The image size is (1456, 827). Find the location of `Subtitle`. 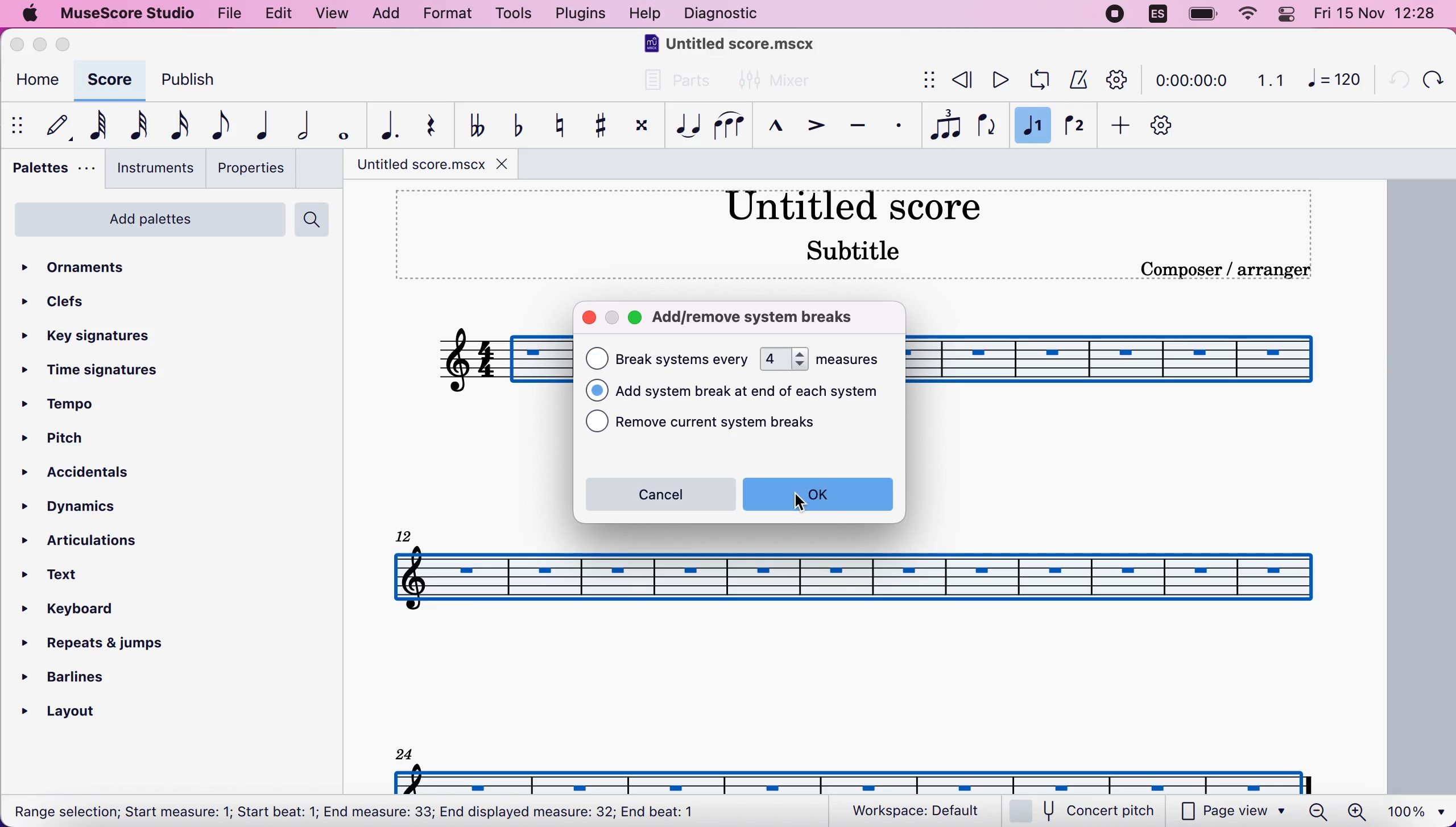

Subtitle is located at coordinates (856, 249).